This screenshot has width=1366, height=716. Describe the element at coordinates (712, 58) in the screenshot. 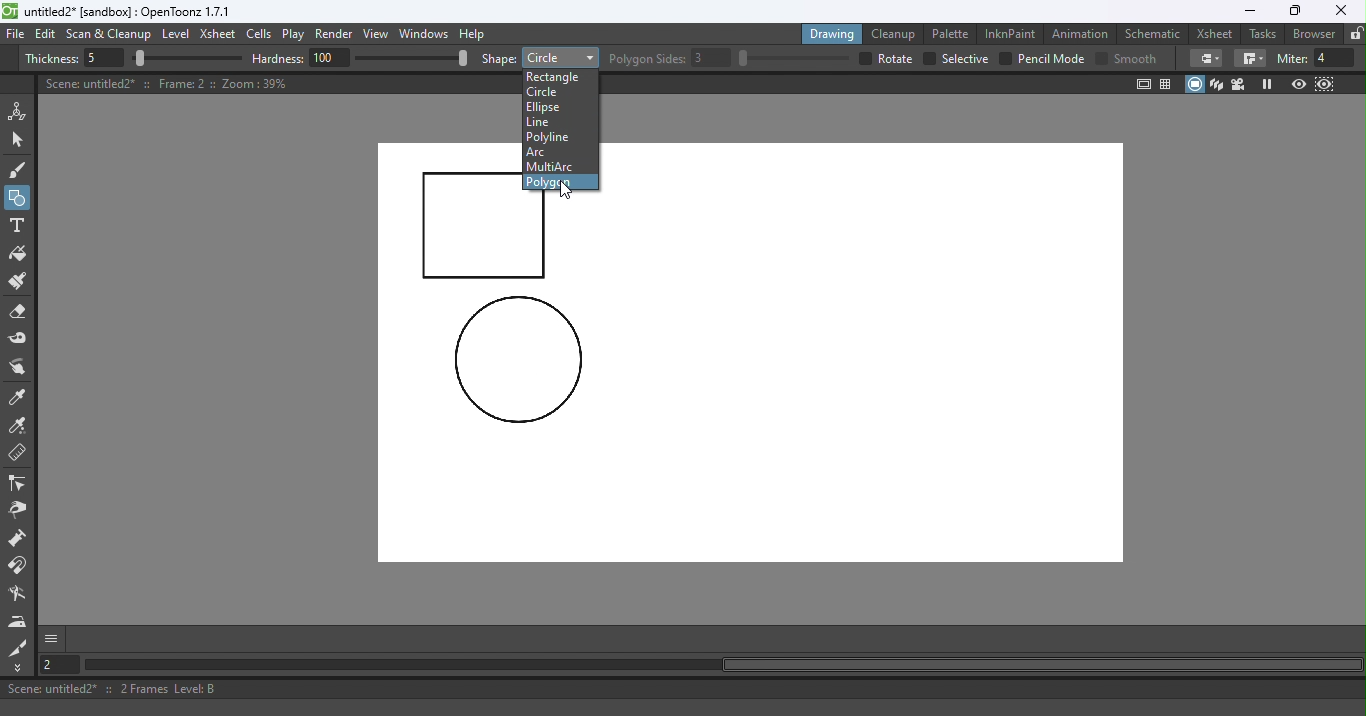

I see `3` at that location.